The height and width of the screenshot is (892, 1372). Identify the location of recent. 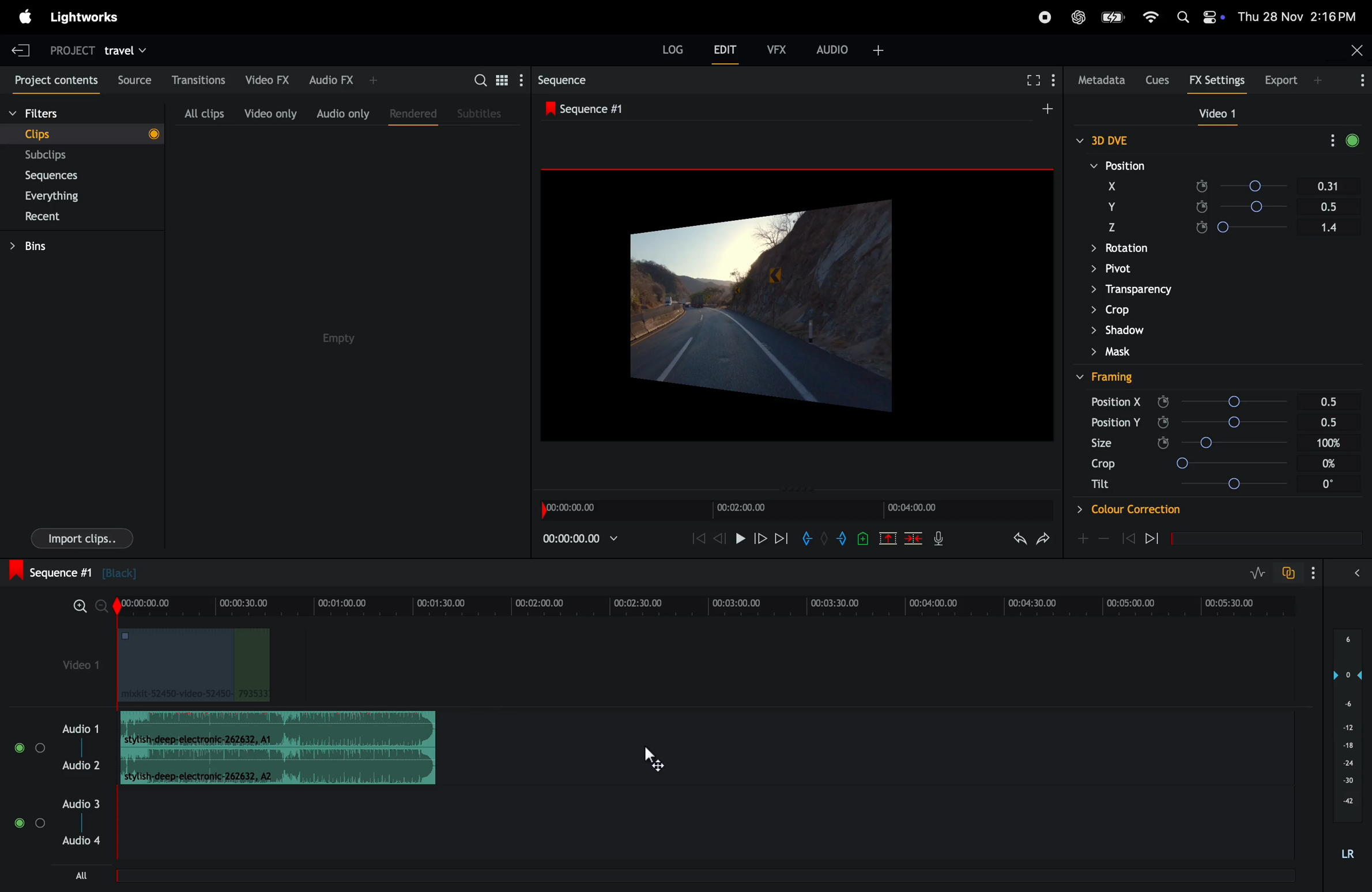
(44, 218).